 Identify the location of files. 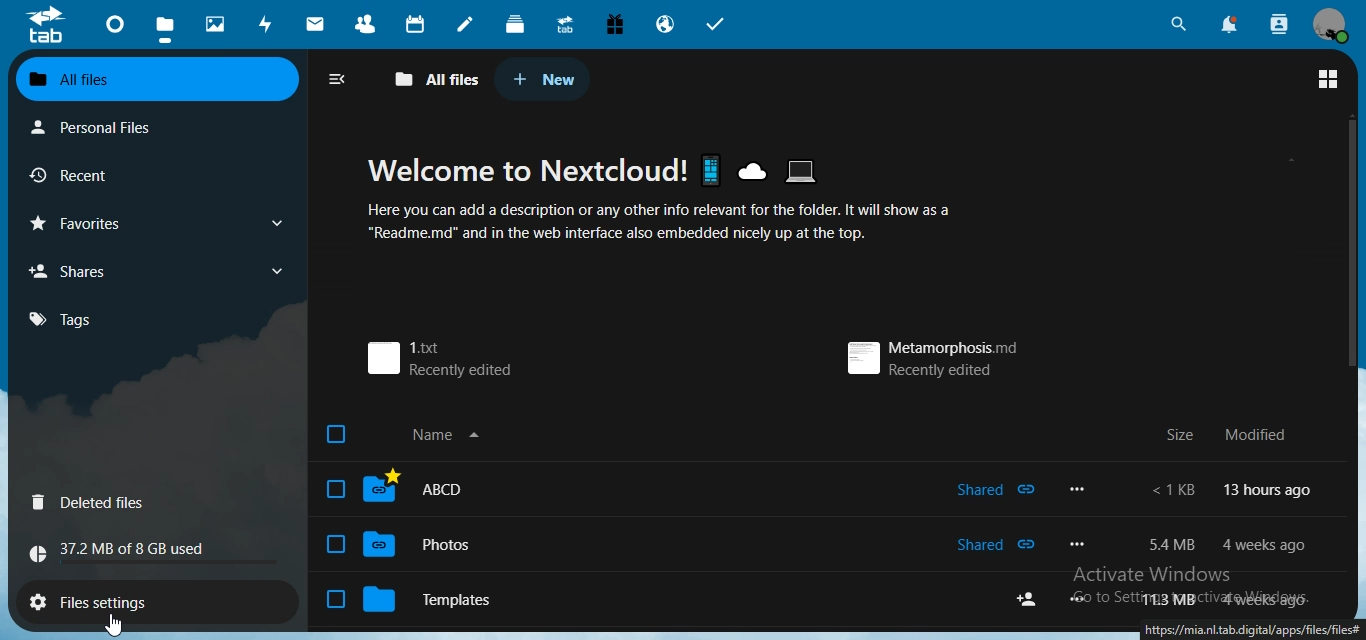
(164, 28).